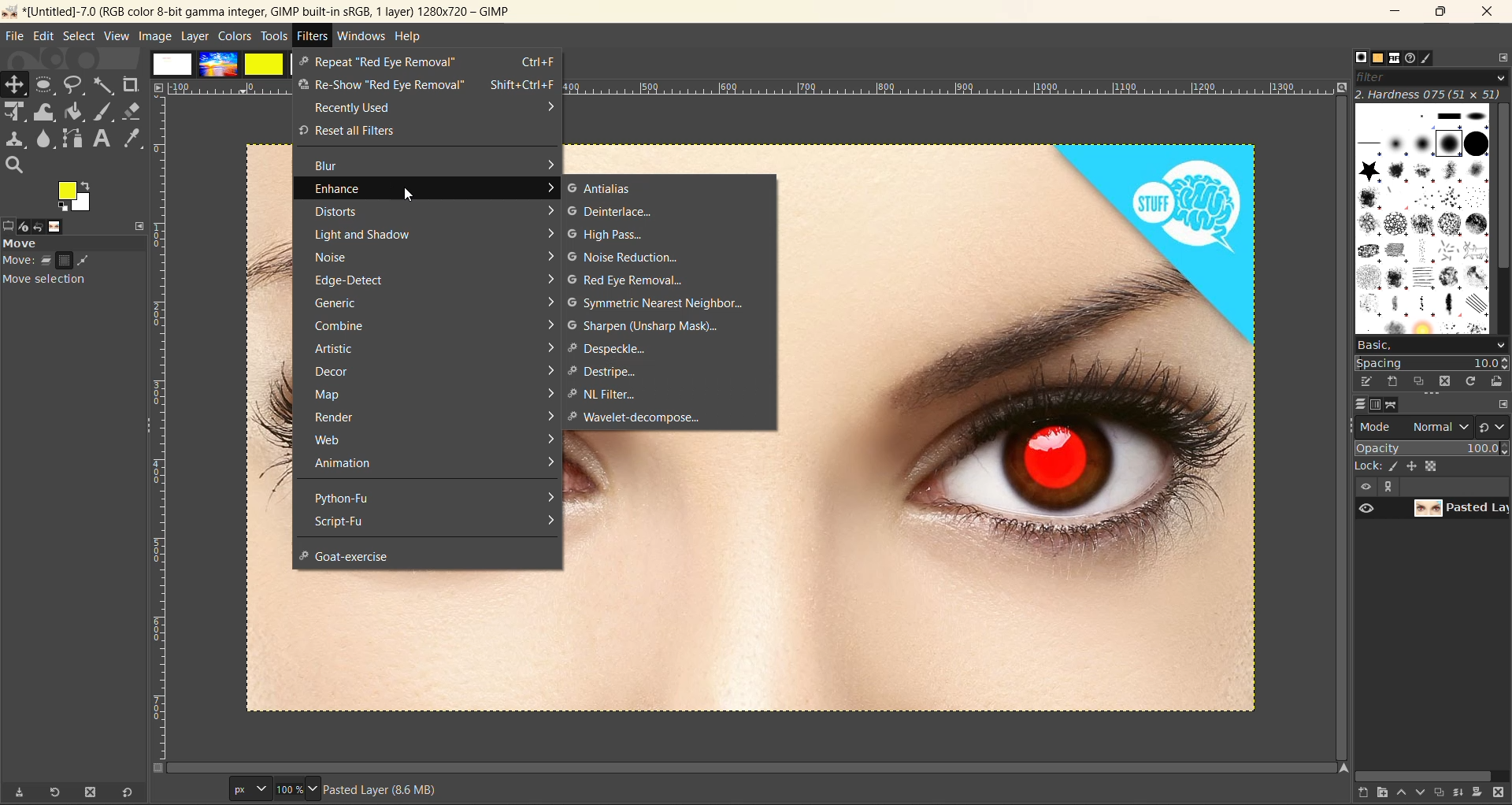 Image resolution: width=1512 pixels, height=805 pixels. What do you see at coordinates (1412, 58) in the screenshot?
I see `document history` at bounding box center [1412, 58].